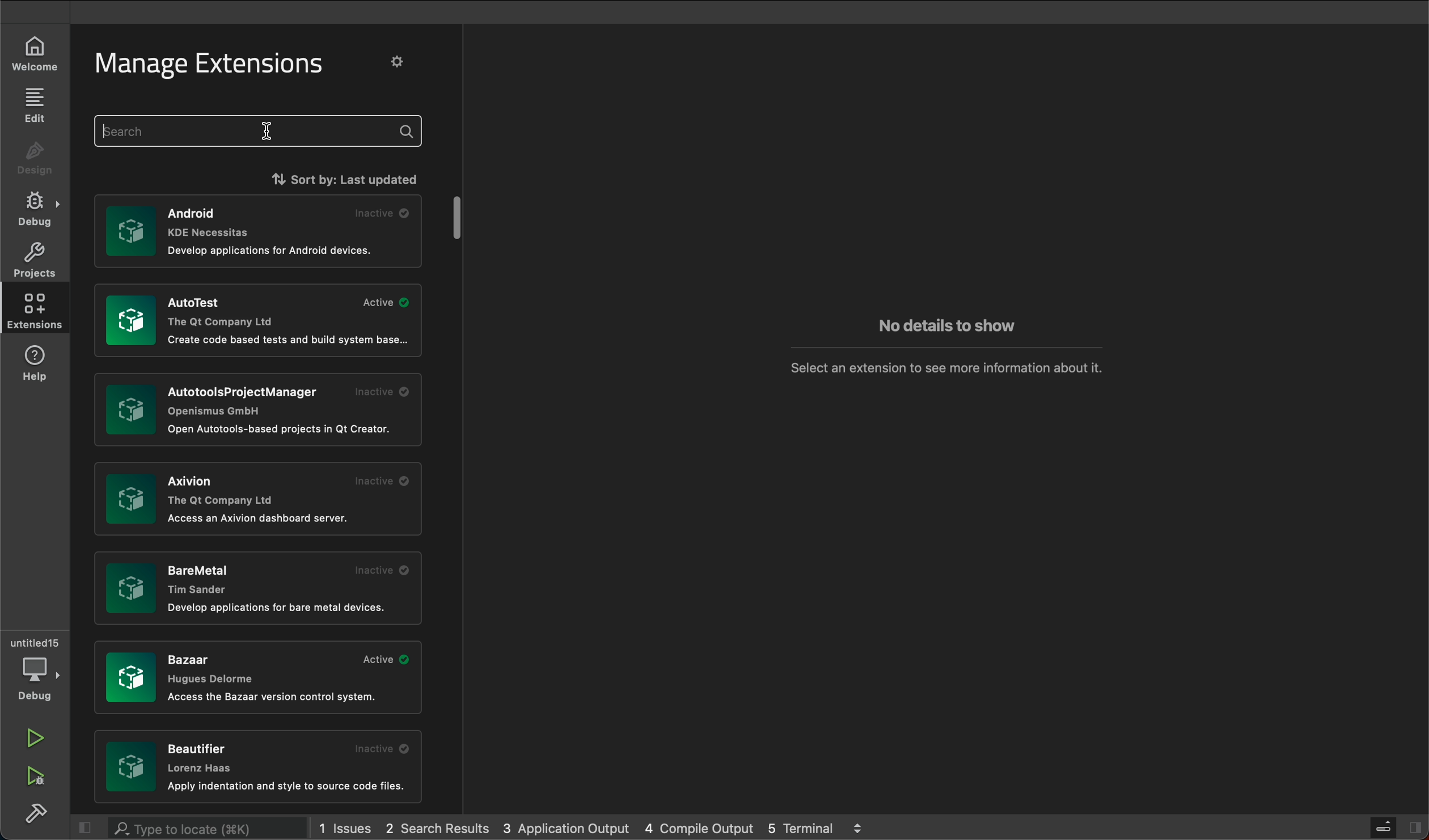 The width and height of the screenshot is (1429, 840). Describe the element at coordinates (385, 302) in the screenshot. I see `active` at that location.